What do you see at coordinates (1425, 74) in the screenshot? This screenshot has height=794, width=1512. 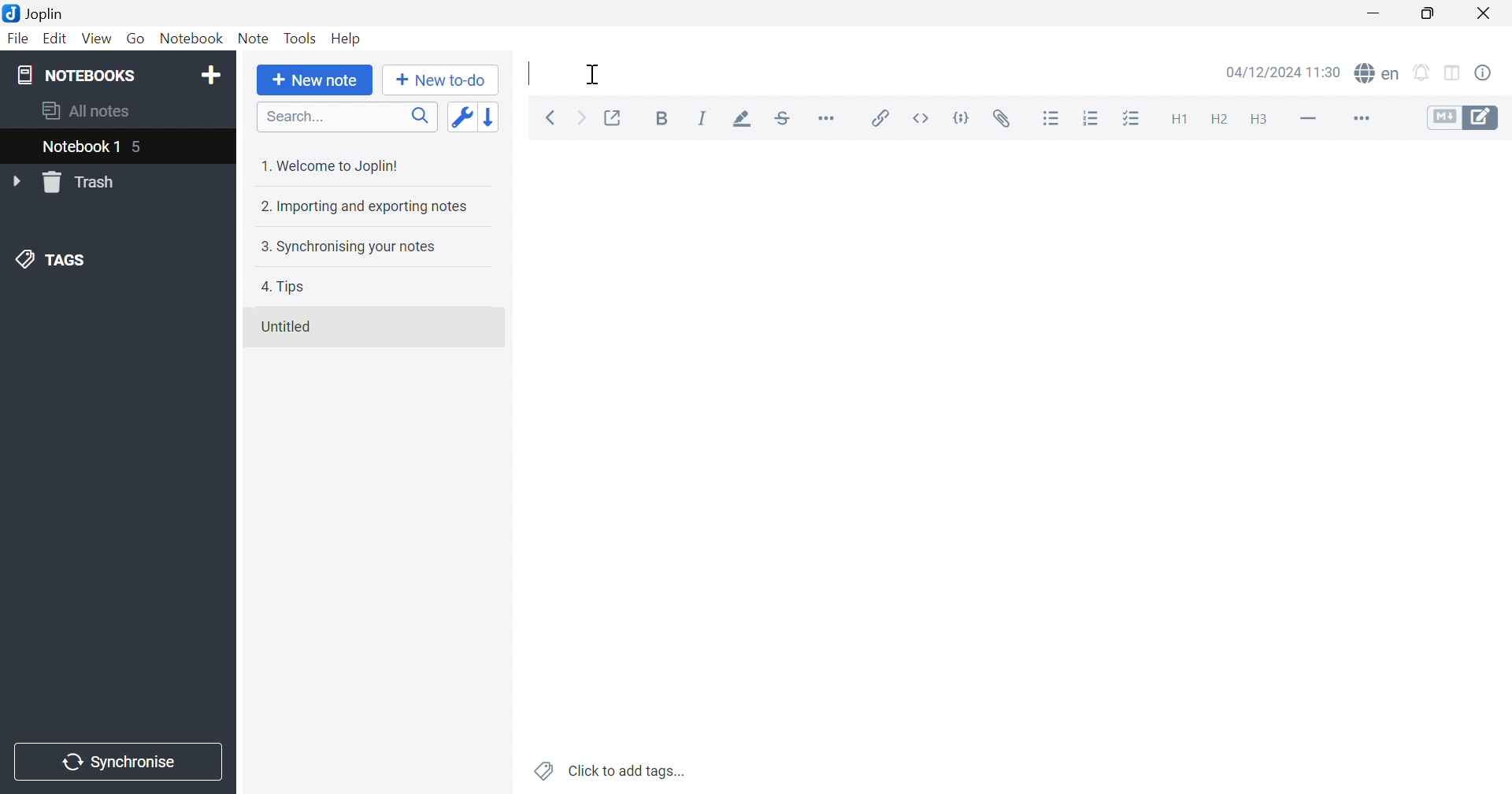 I see `Set alarm` at bounding box center [1425, 74].